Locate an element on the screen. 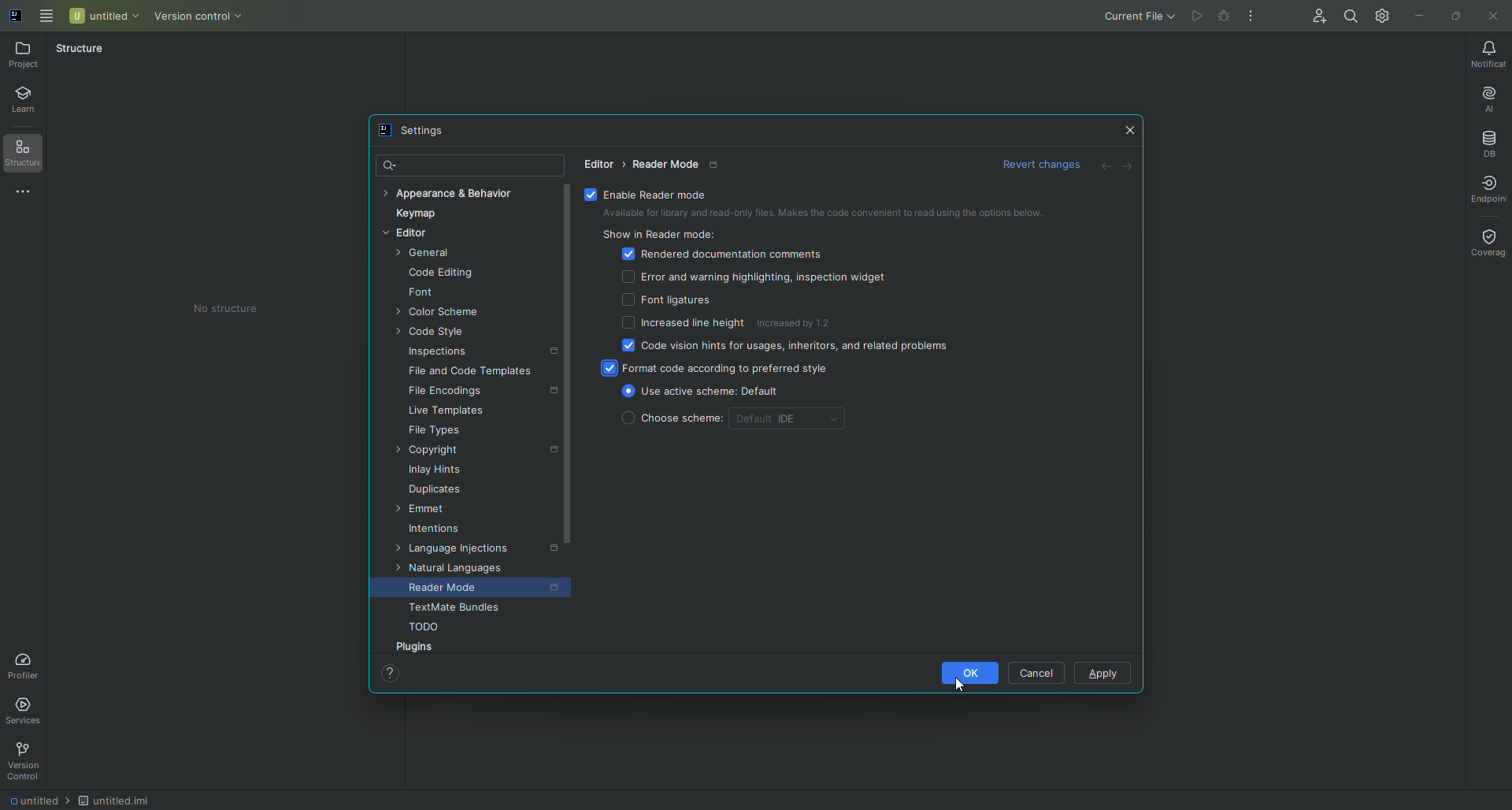 This screenshot has height=810, width=1512. Notifications is located at coordinates (1488, 55).